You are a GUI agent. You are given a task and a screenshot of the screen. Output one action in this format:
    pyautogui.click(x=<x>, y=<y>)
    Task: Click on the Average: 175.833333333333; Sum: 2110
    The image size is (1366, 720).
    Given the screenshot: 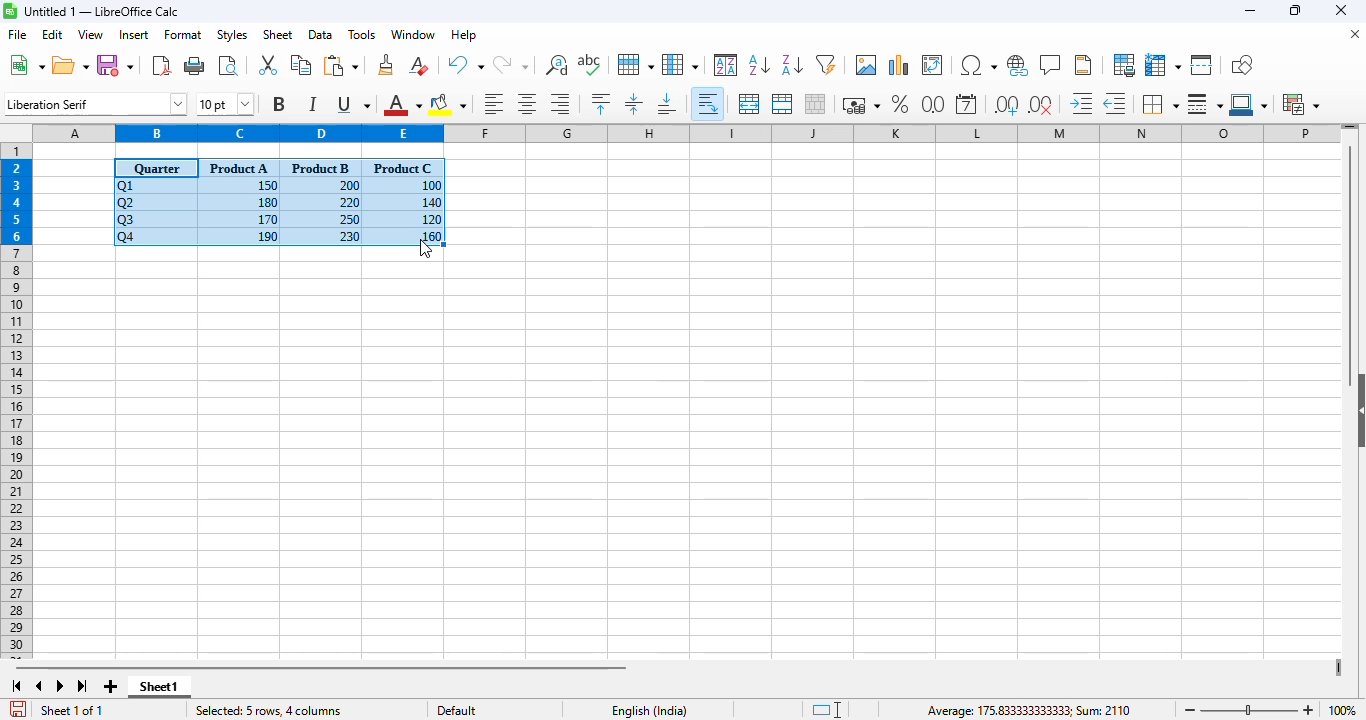 What is the action you would take?
    pyautogui.click(x=966, y=710)
    